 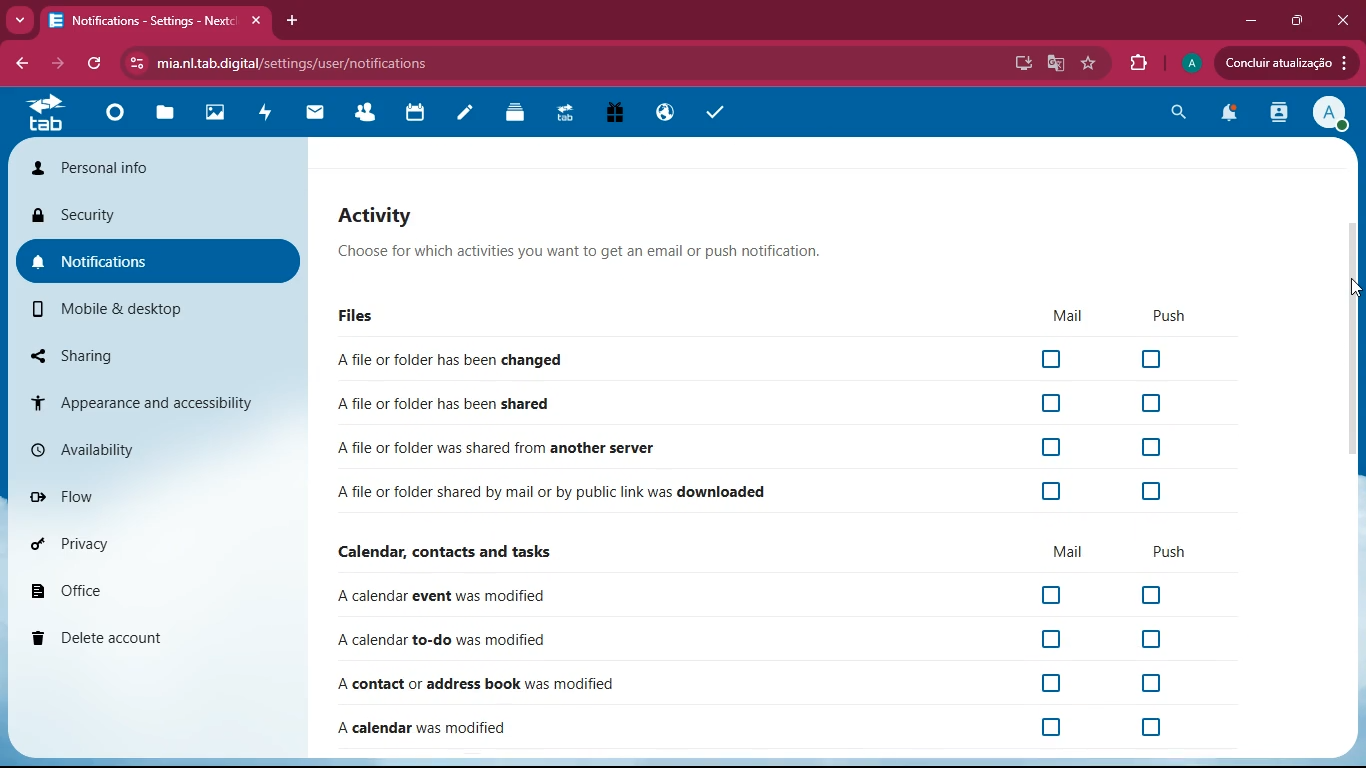 What do you see at coordinates (1050, 360) in the screenshot?
I see `checkbox` at bounding box center [1050, 360].